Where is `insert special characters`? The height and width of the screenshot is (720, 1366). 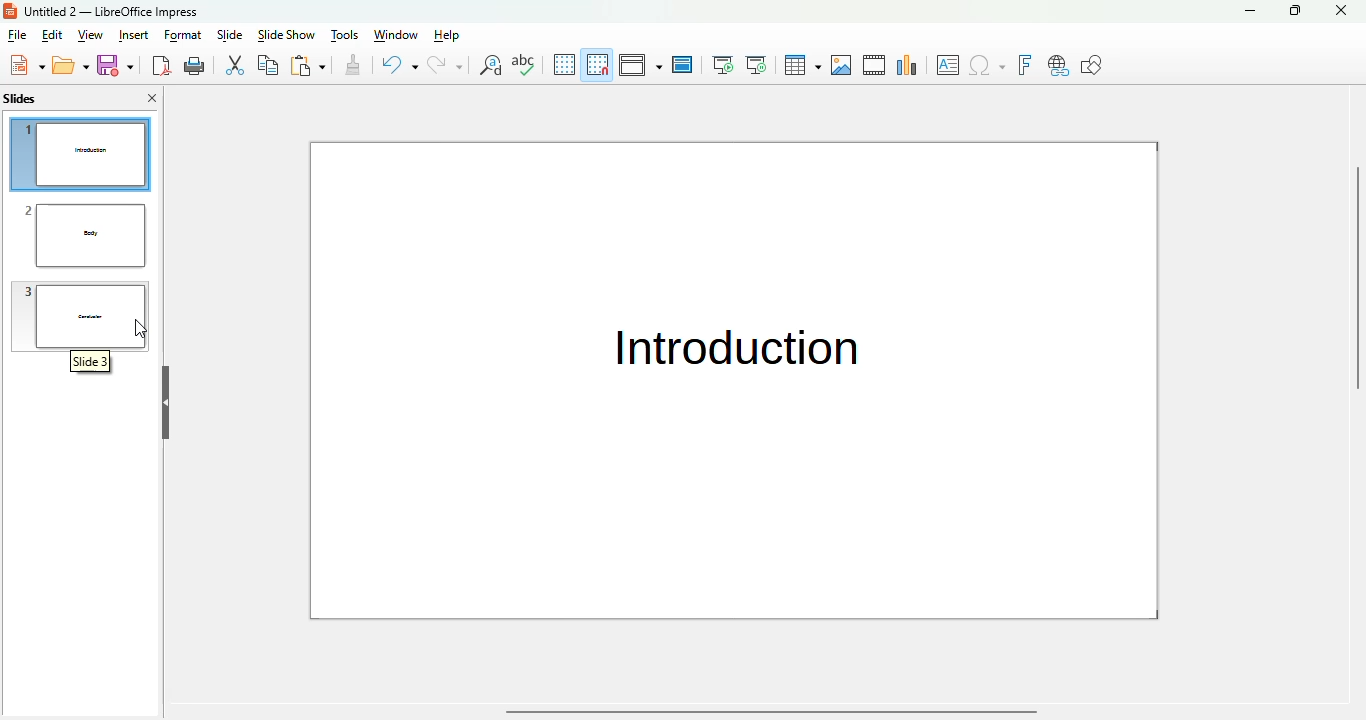 insert special characters is located at coordinates (987, 65).